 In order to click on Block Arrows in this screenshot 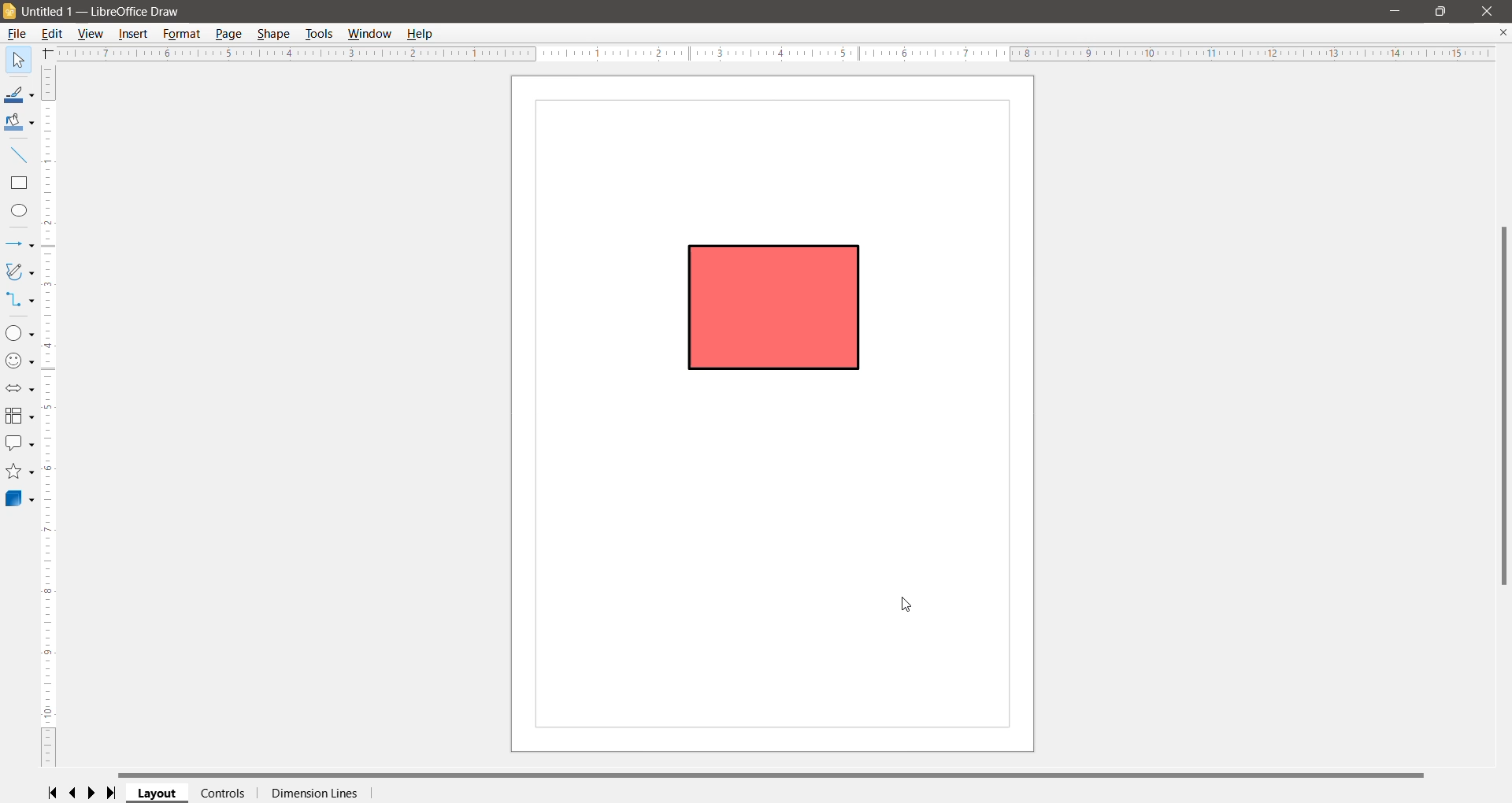, I will do `click(20, 389)`.